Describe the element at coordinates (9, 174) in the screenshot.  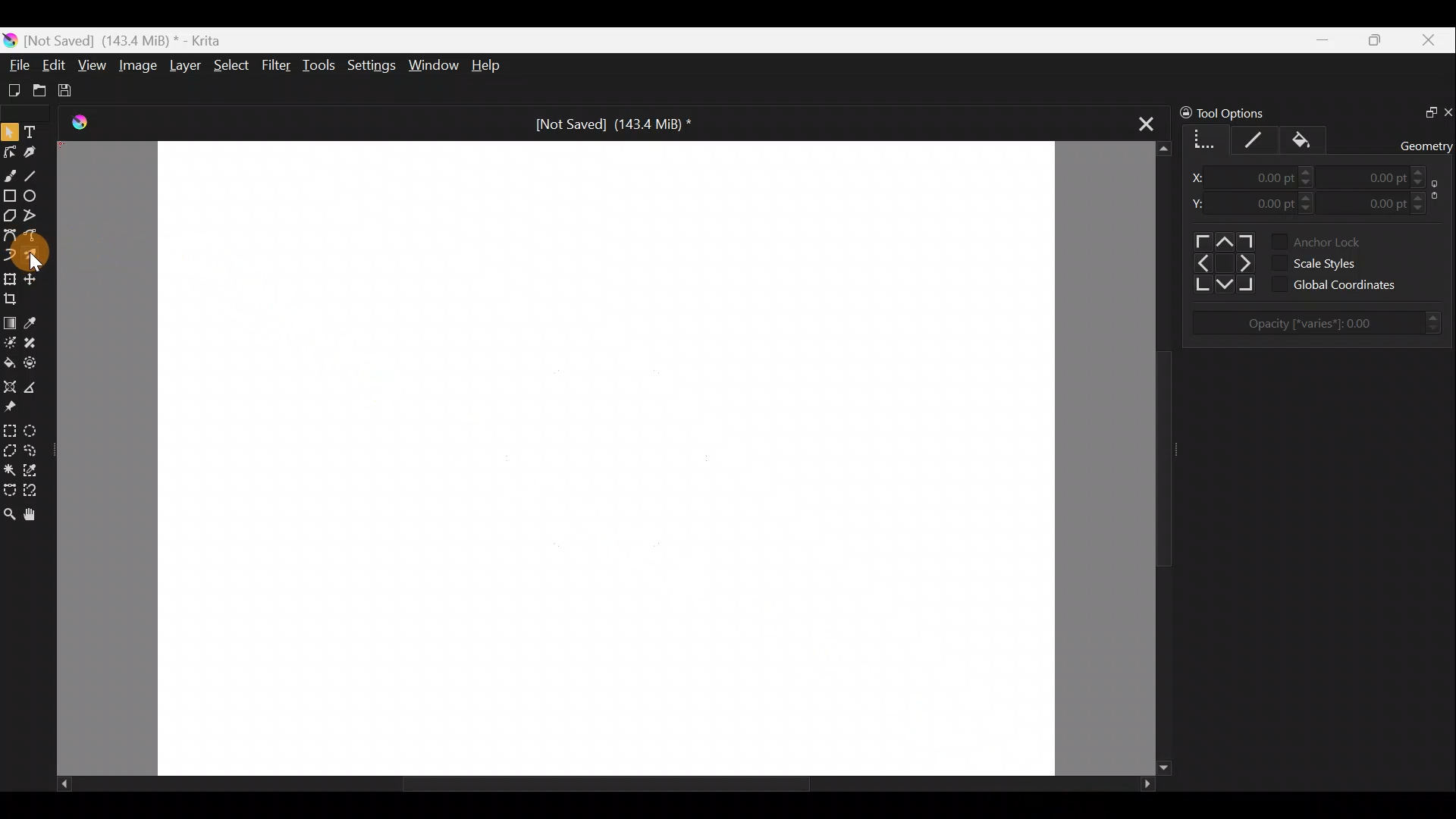
I see `Freehand brush tool` at that location.